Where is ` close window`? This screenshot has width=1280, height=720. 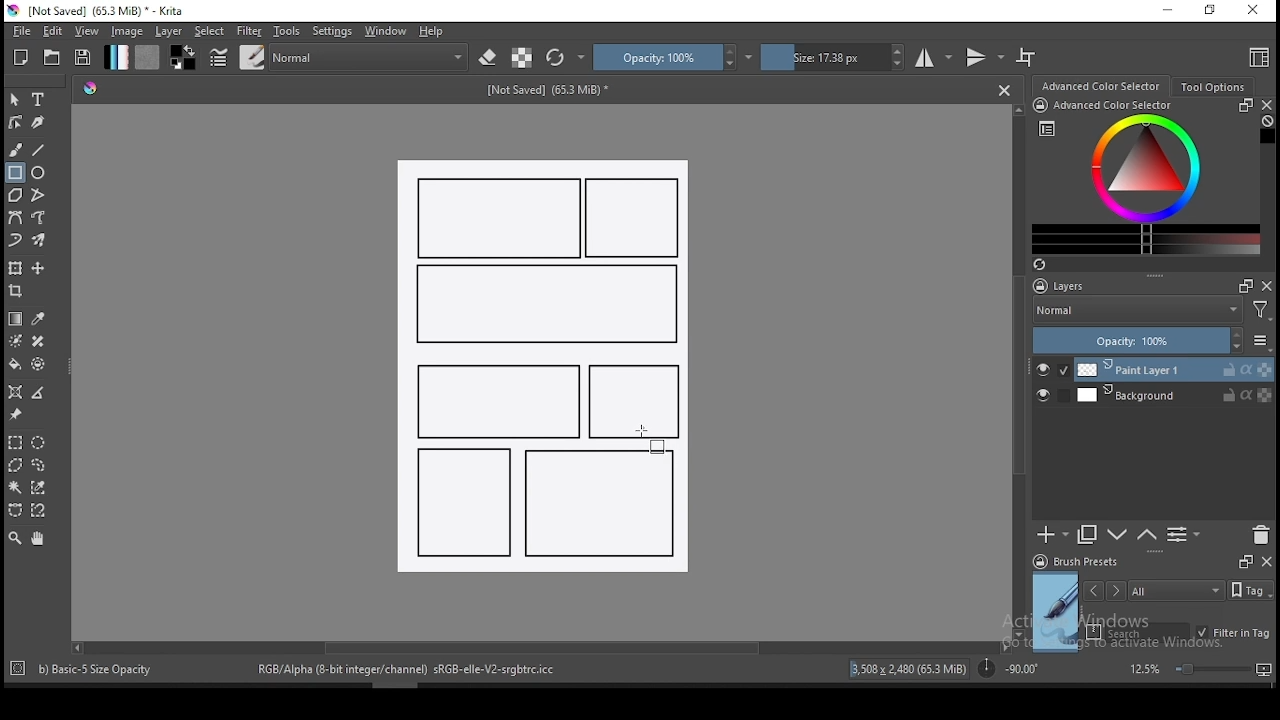
 close window is located at coordinates (1255, 11).